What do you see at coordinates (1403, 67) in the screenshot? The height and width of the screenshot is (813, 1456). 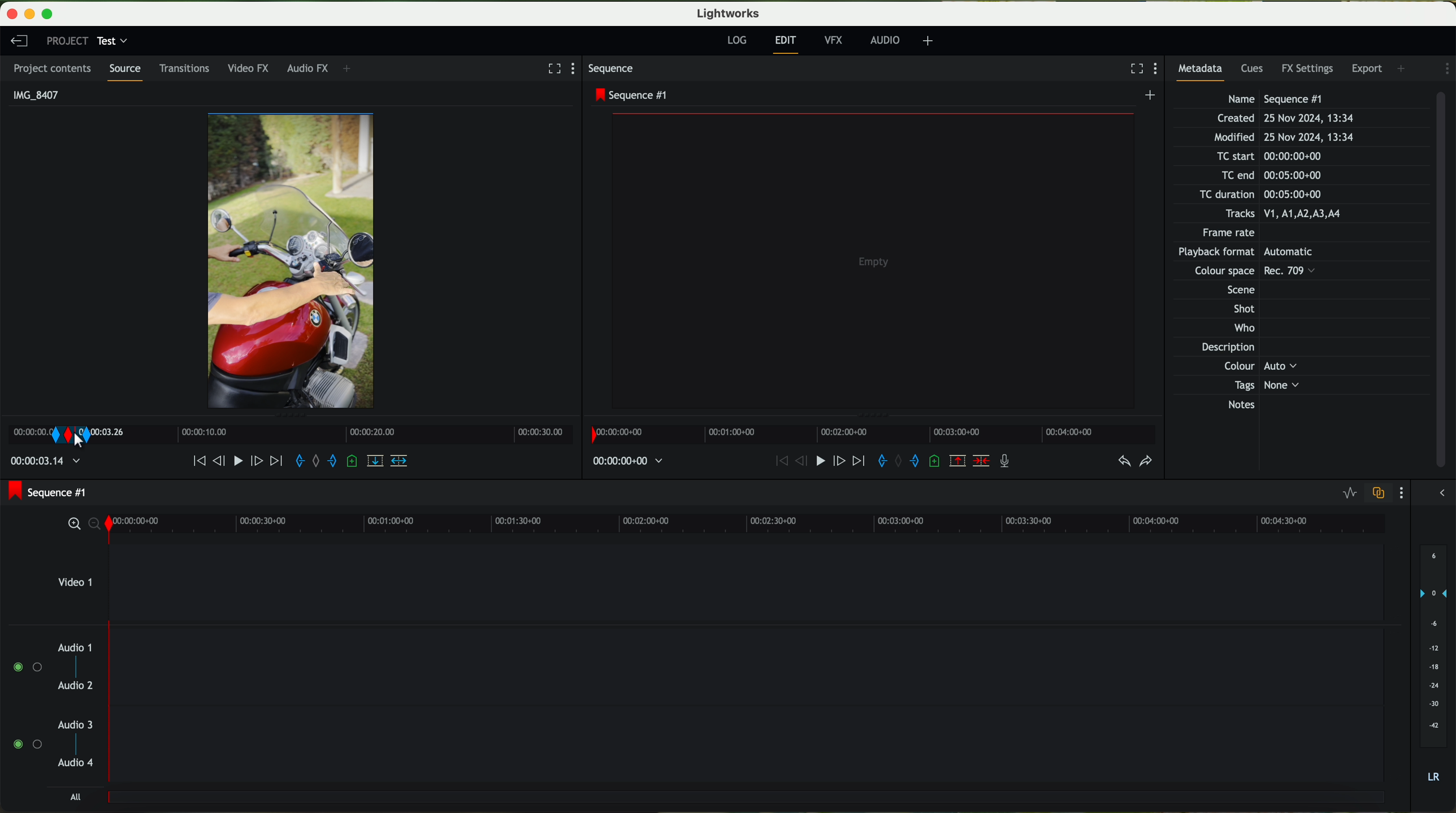 I see `add panel` at bounding box center [1403, 67].